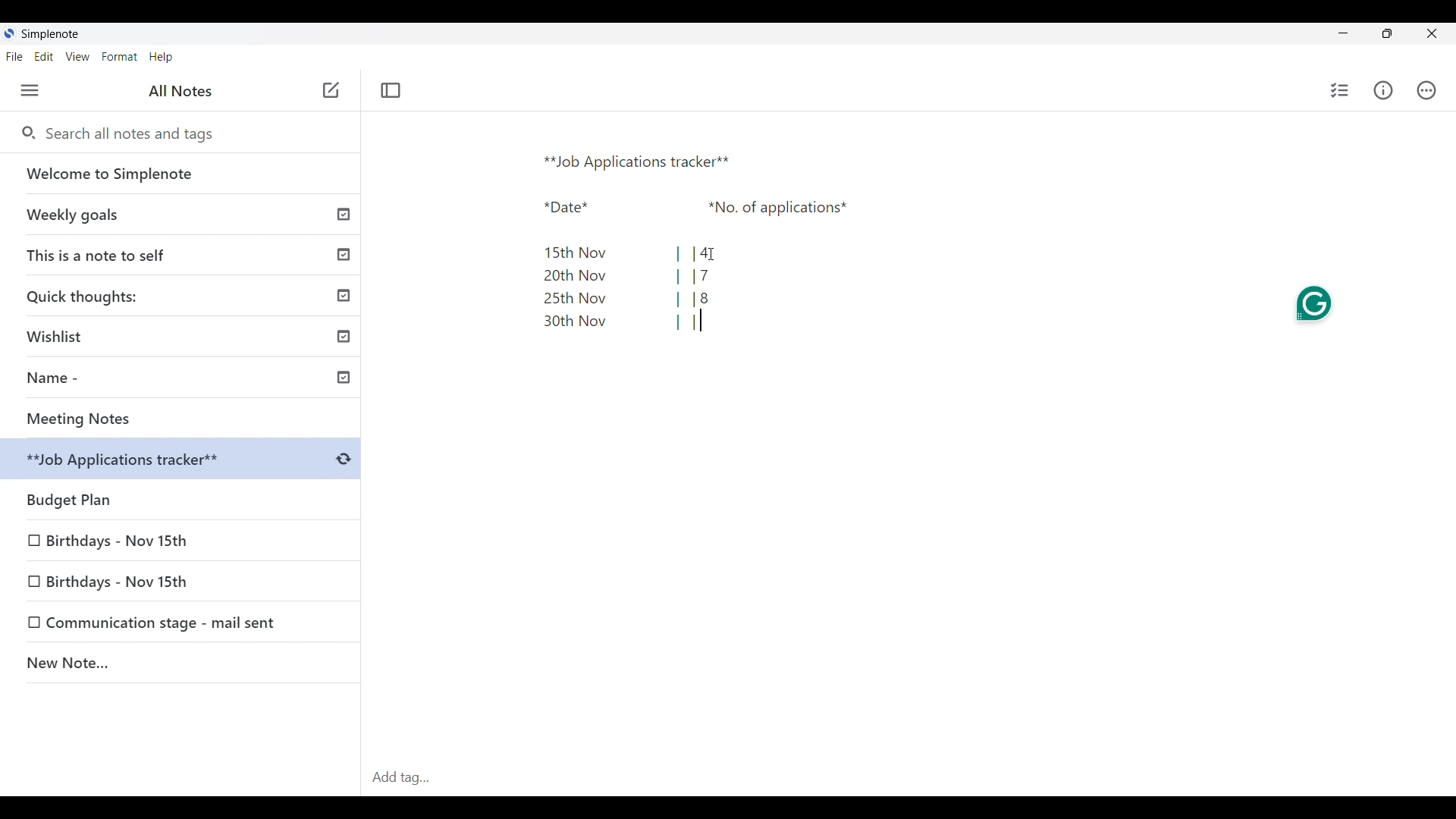 The width and height of the screenshot is (1456, 819). I want to click on Menu, so click(30, 90).